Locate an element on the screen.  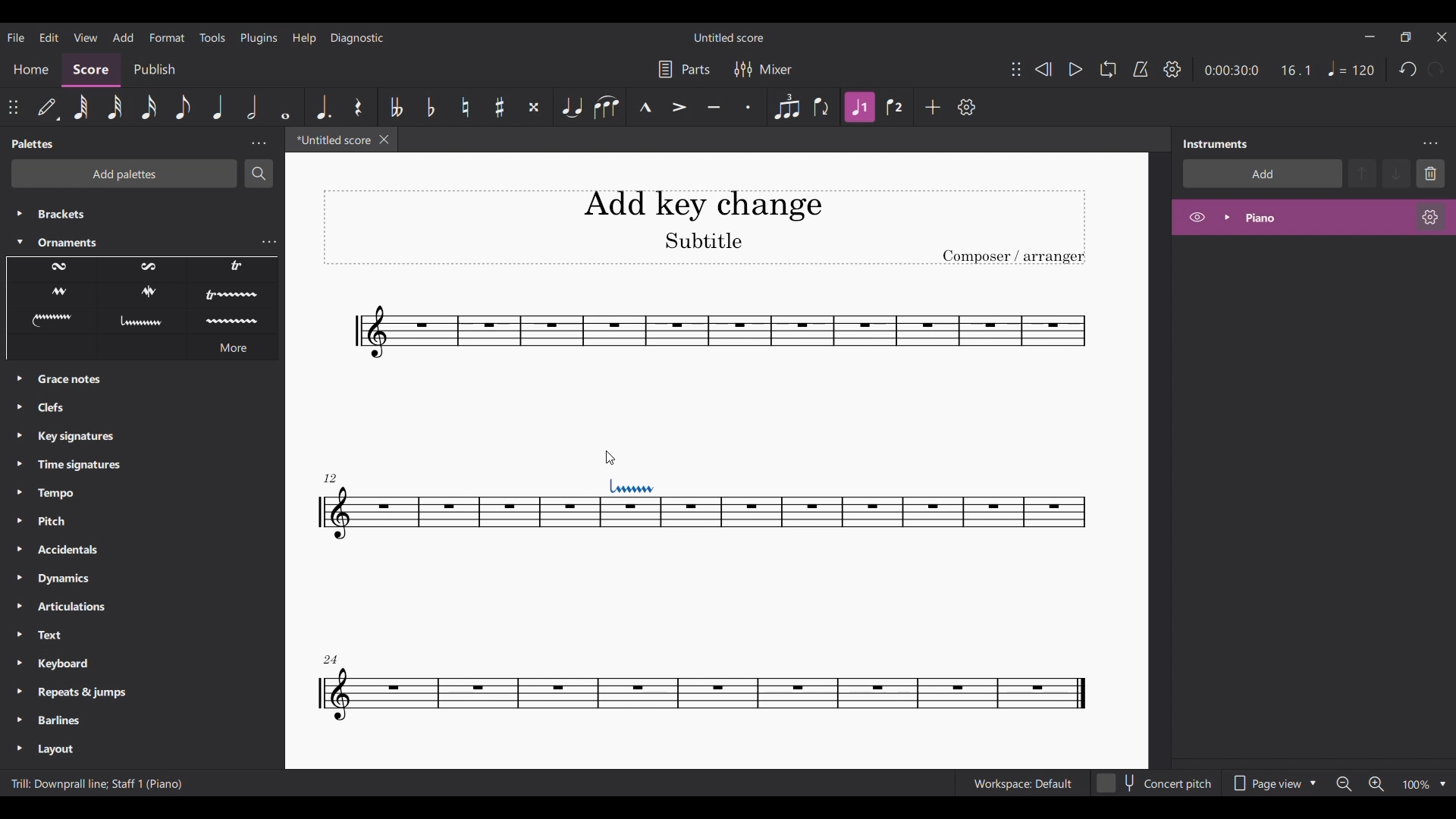
Ornament options is located at coordinates (142, 293).